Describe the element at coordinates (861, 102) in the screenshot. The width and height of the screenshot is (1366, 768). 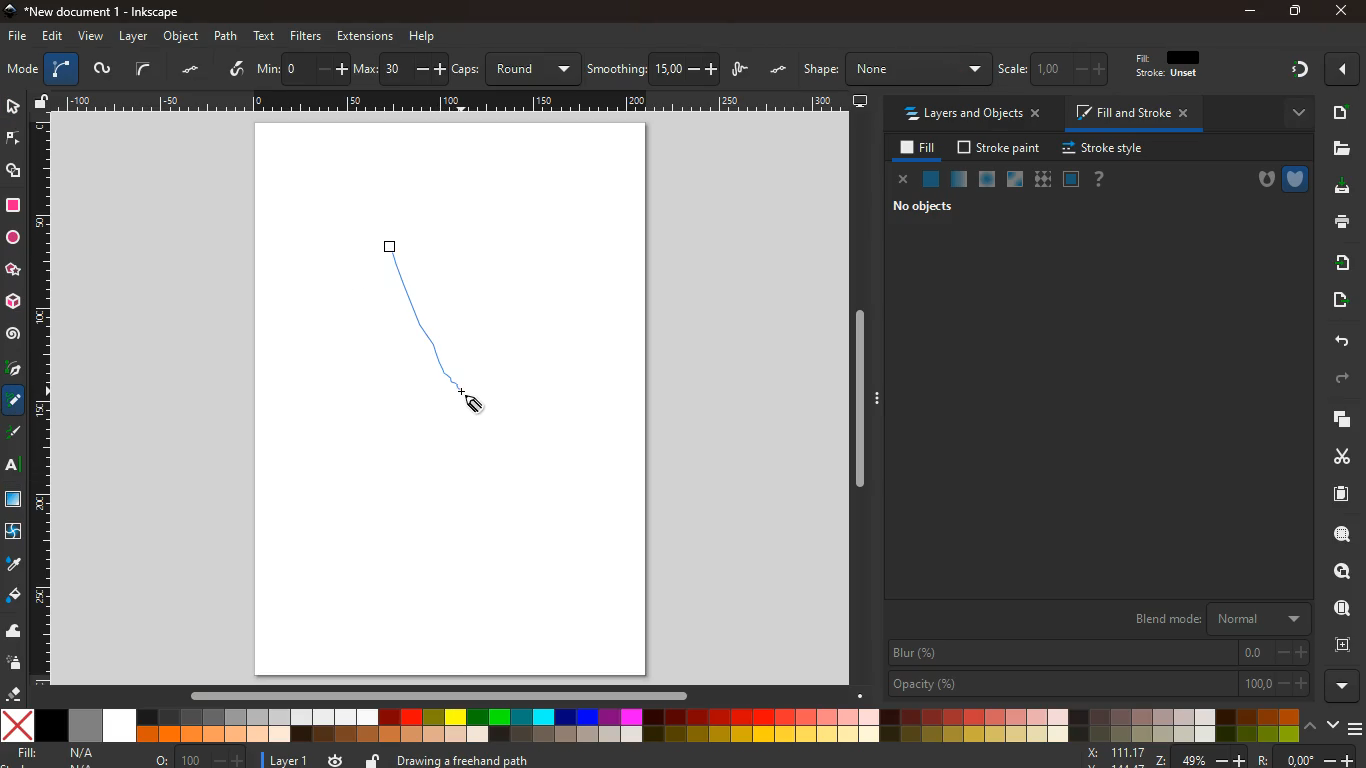
I see `desktop` at that location.